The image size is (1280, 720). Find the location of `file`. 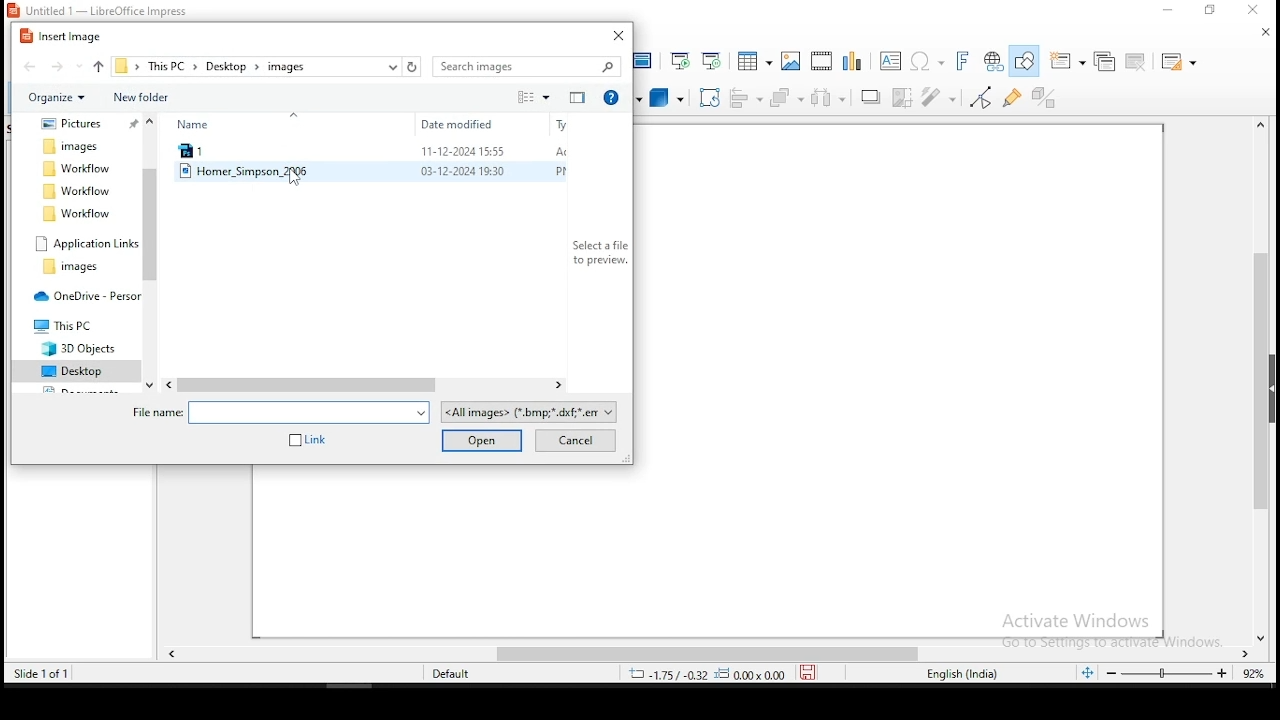

file is located at coordinates (219, 152).